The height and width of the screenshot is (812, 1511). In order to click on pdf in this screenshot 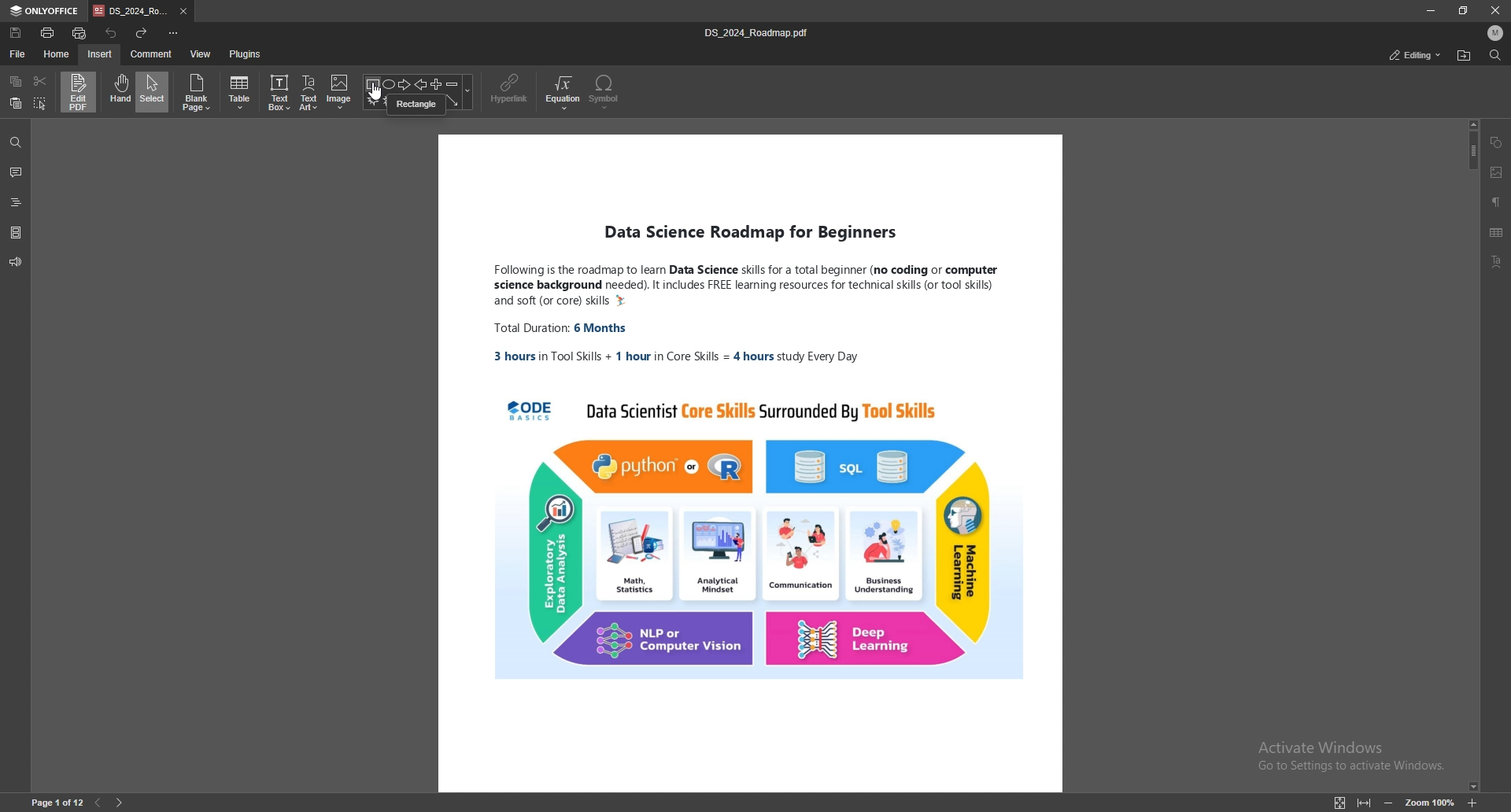, I will do `click(749, 463)`.